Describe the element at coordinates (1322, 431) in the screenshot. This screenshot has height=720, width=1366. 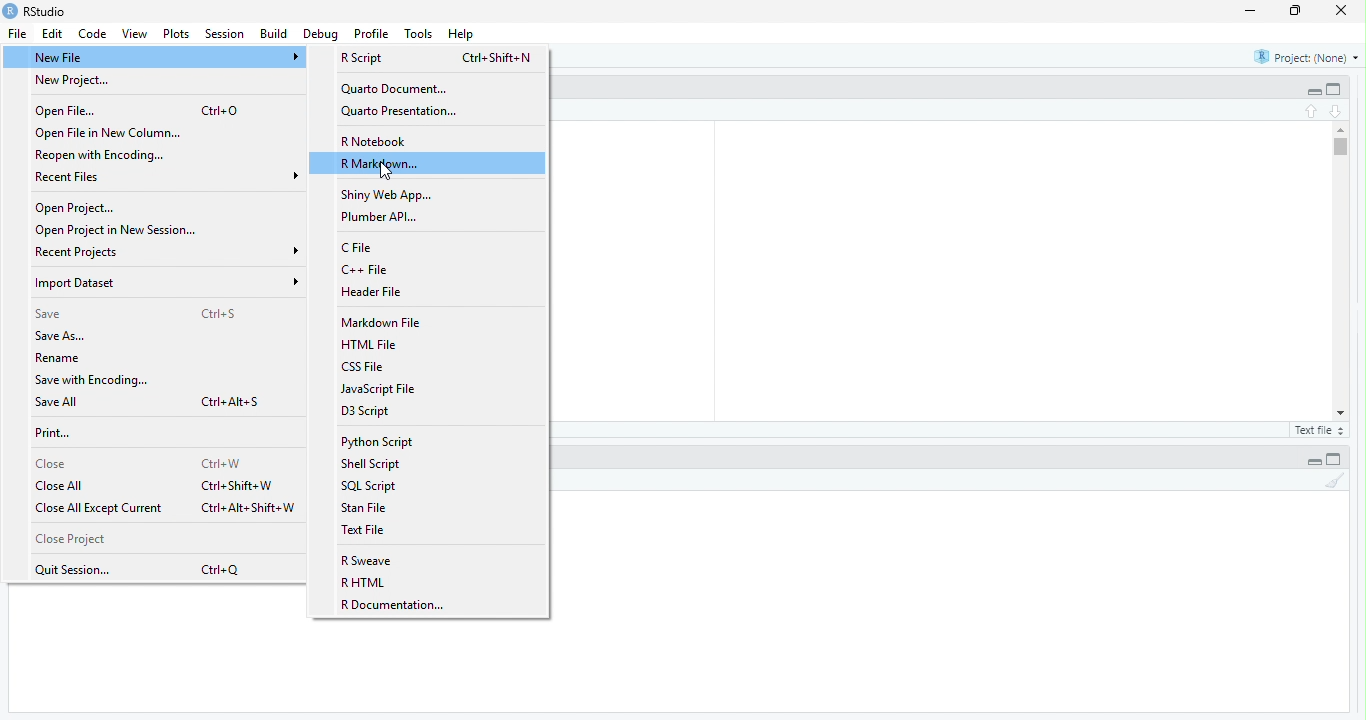
I see `Text file` at that location.